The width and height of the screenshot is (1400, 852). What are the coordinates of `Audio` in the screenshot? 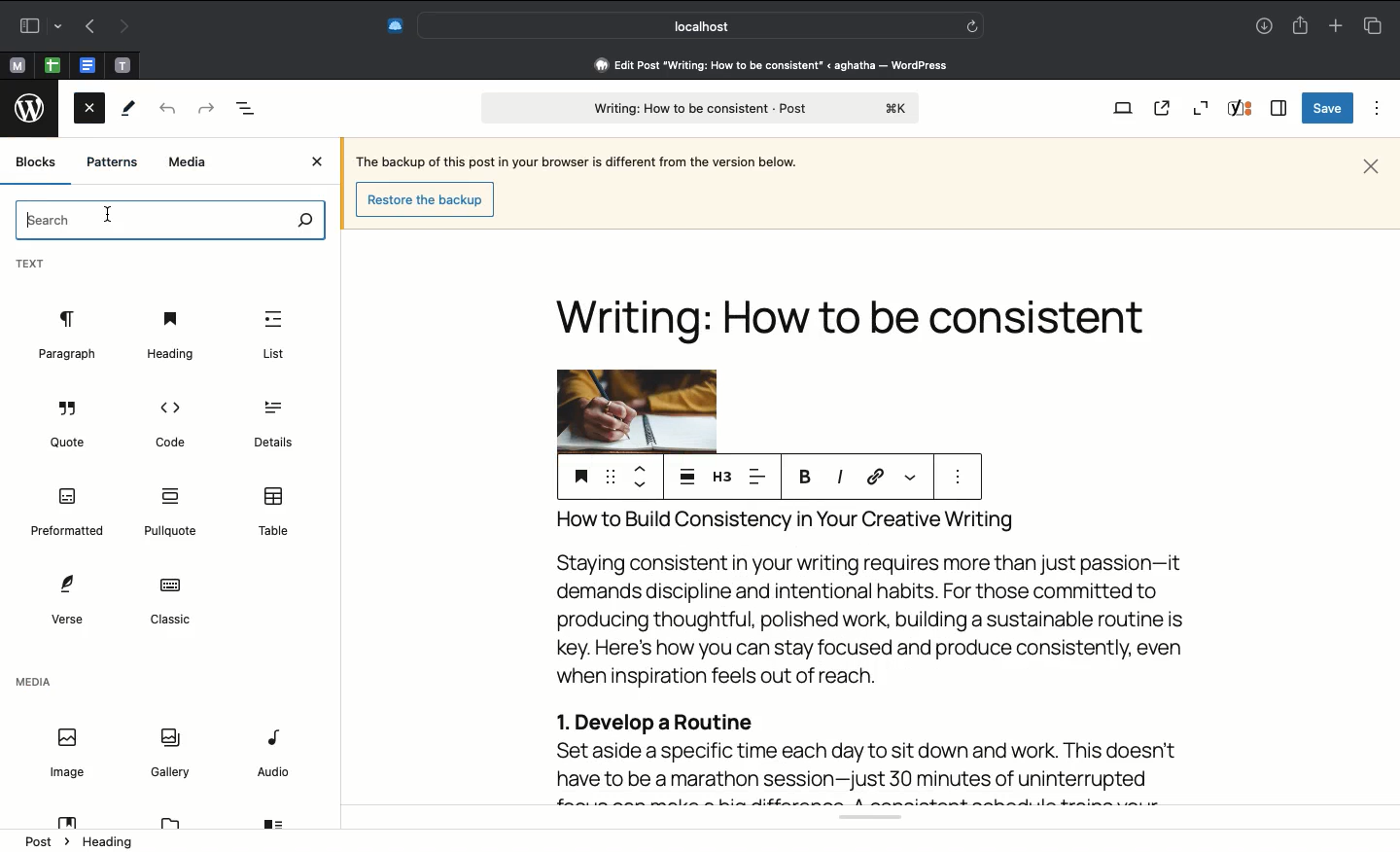 It's located at (275, 756).